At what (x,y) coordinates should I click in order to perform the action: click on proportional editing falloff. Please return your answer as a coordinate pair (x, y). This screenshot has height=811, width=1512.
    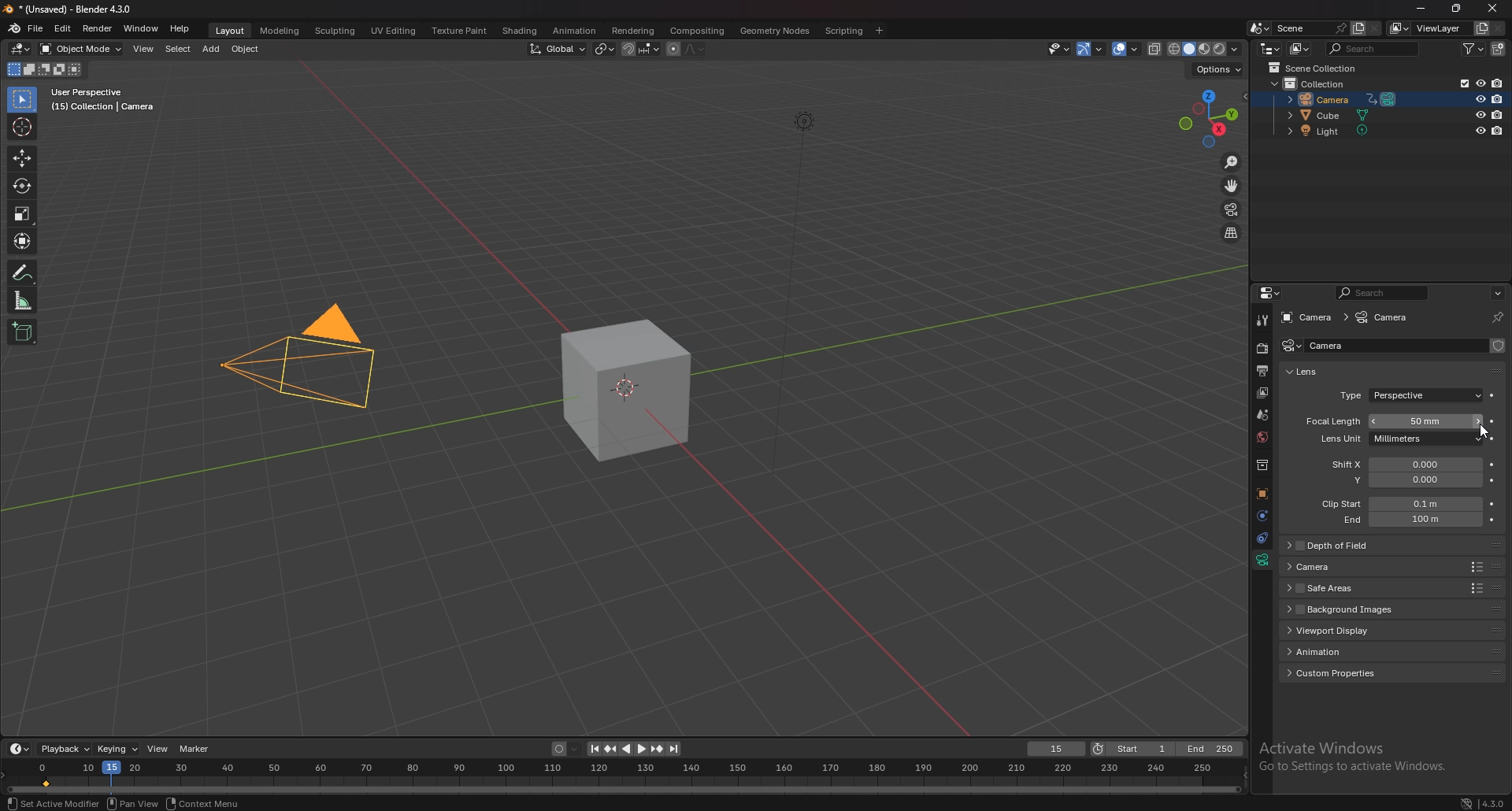
    Looking at the image, I should click on (697, 48).